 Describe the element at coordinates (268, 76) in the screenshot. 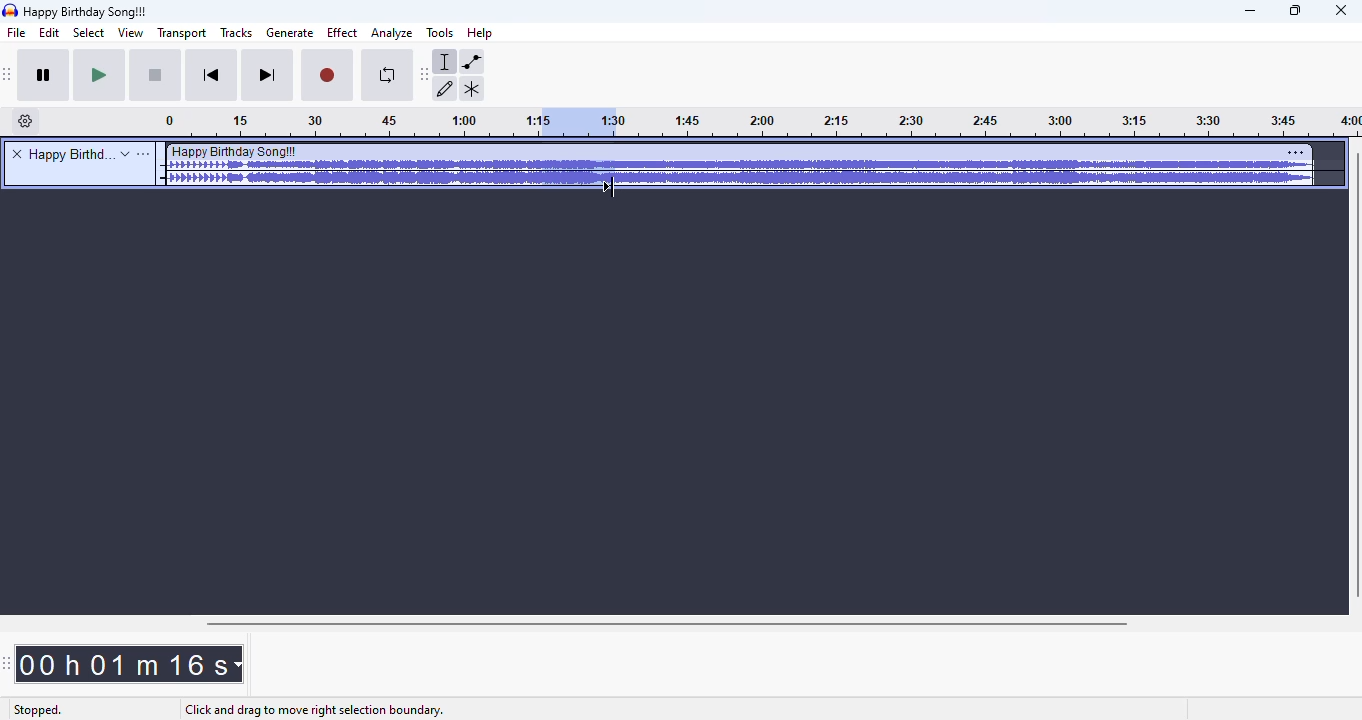

I see `skip to end` at that location.